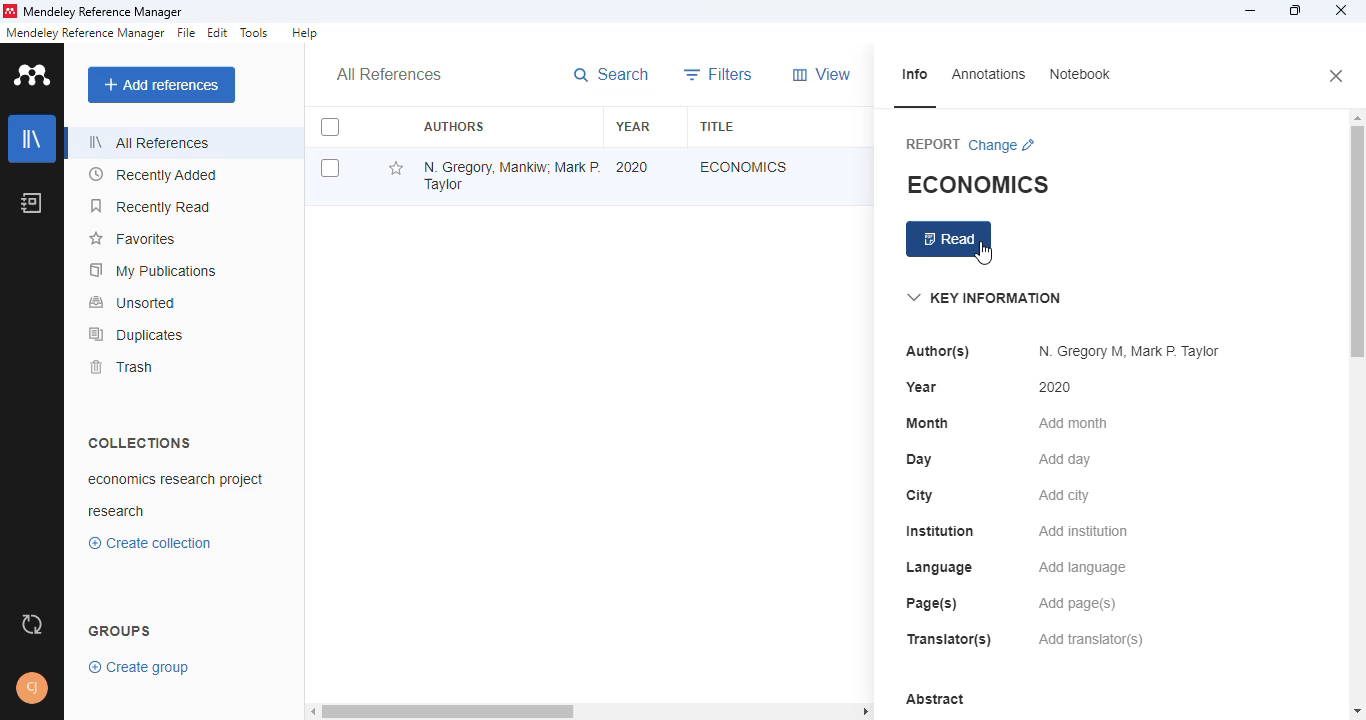  Describe the element at coordinates (218, 33) in the screenshot. I see `edit` at that location.